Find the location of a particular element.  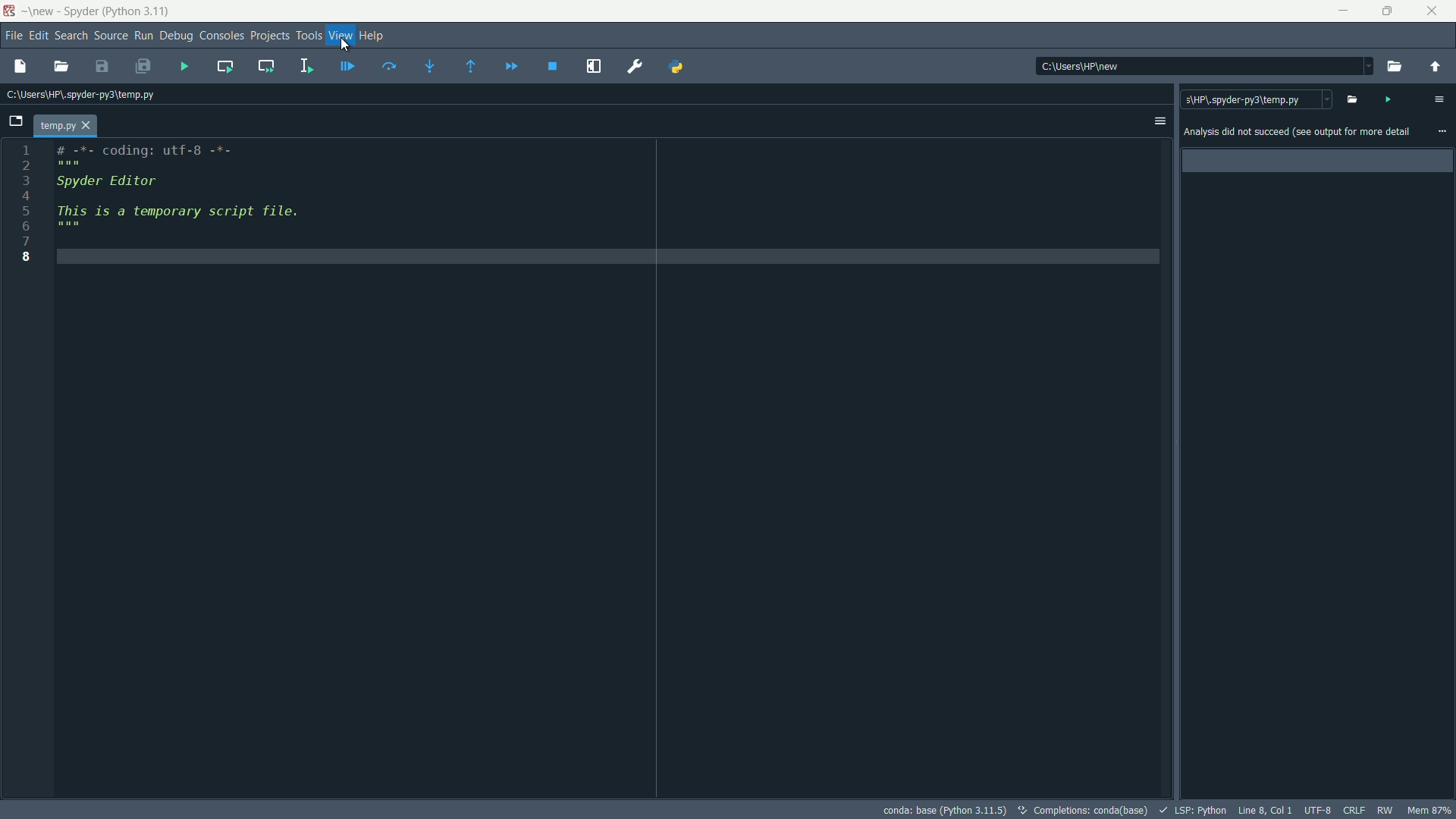

save all files is located at coordinates (143, 66).